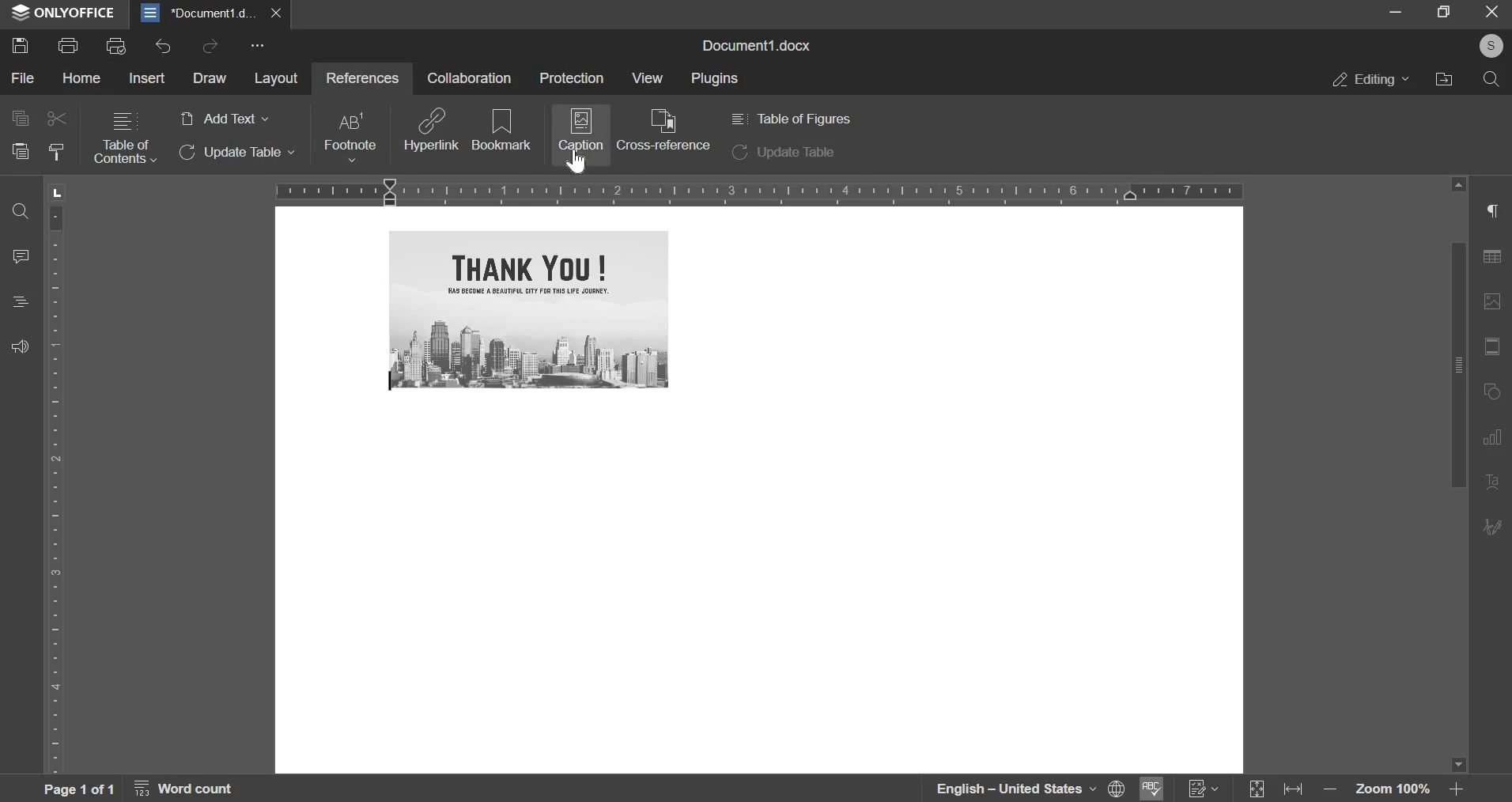  I want to click on collaboration, so click(469, 78).